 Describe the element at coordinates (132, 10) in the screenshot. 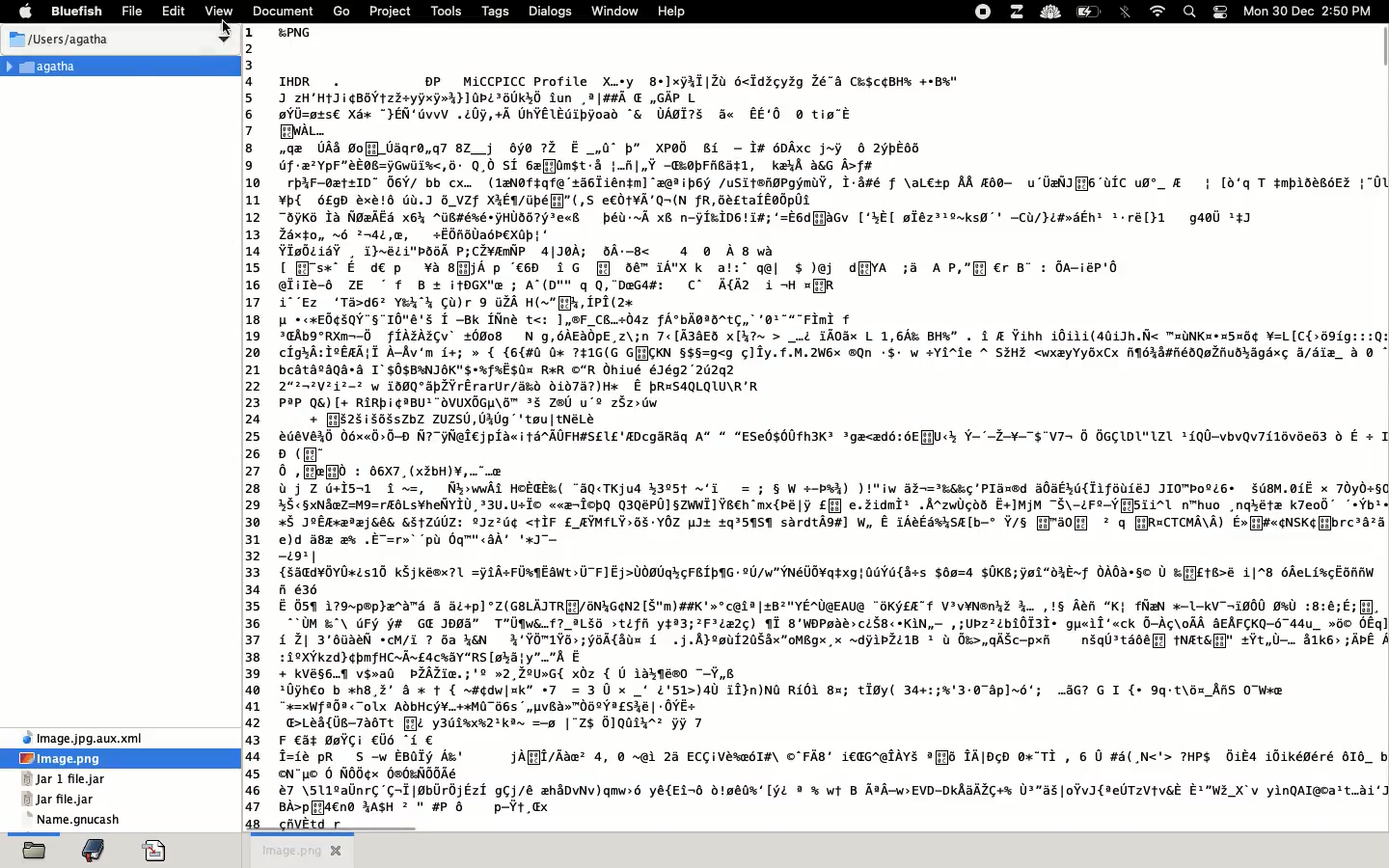

I see `file` at that location.